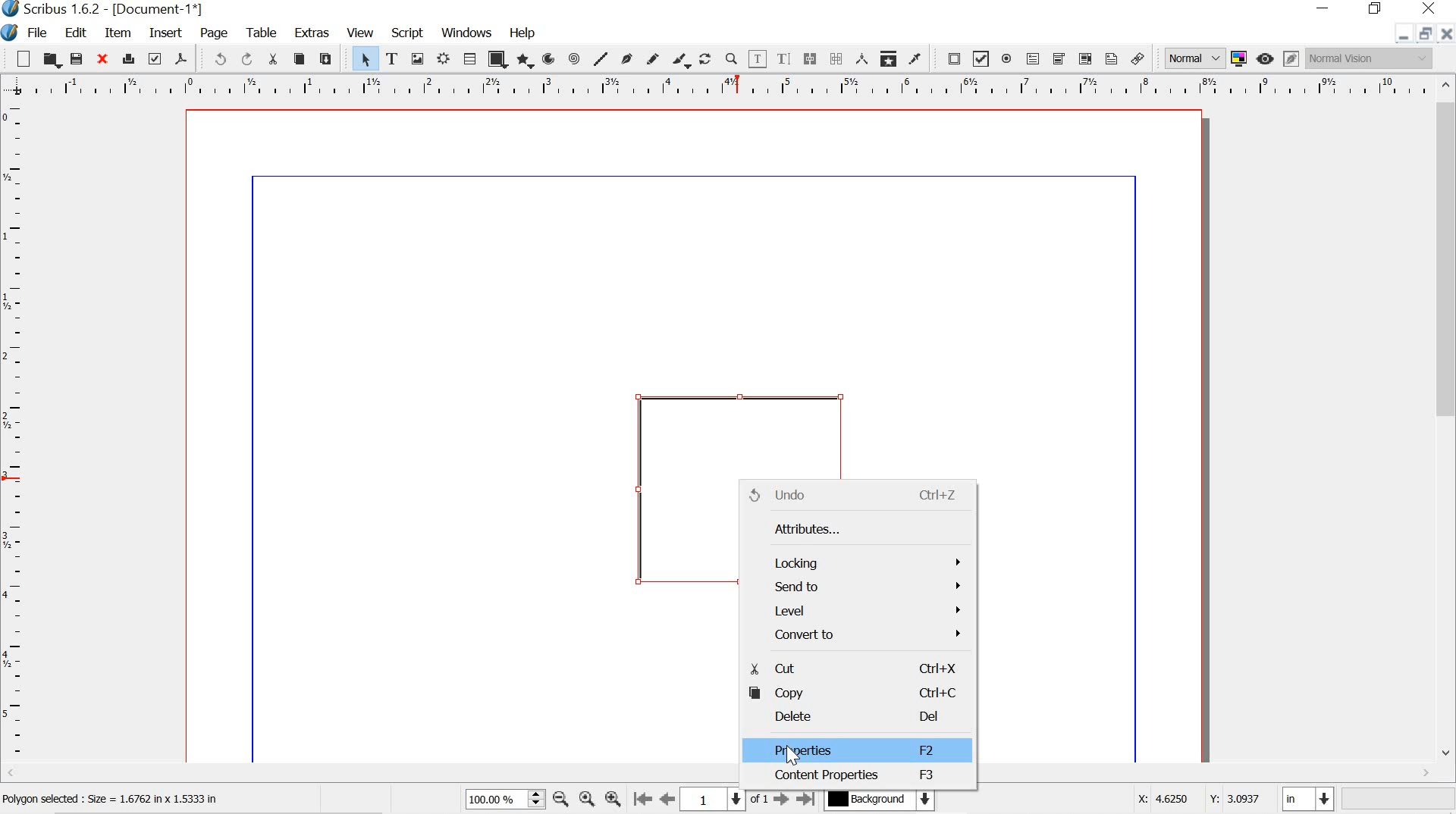 Image resolution: width=1456 pixels, height=814 pixels. What do you see at coordinates (488, 802) in the screenshot?
I see `100.00%` at bounding box center [488, 802].